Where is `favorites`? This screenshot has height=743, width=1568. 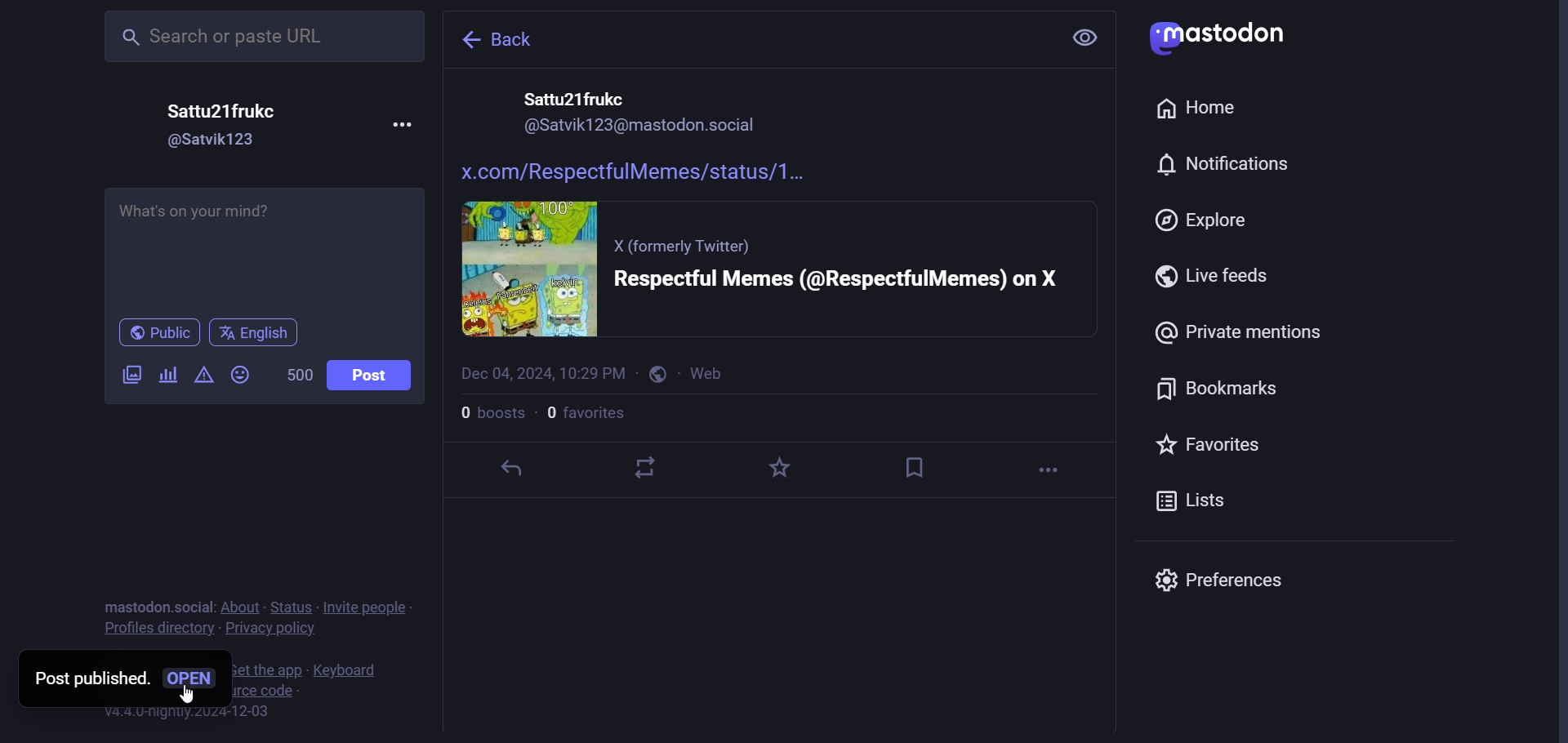
favorites is located at coordinates (1210, 447).